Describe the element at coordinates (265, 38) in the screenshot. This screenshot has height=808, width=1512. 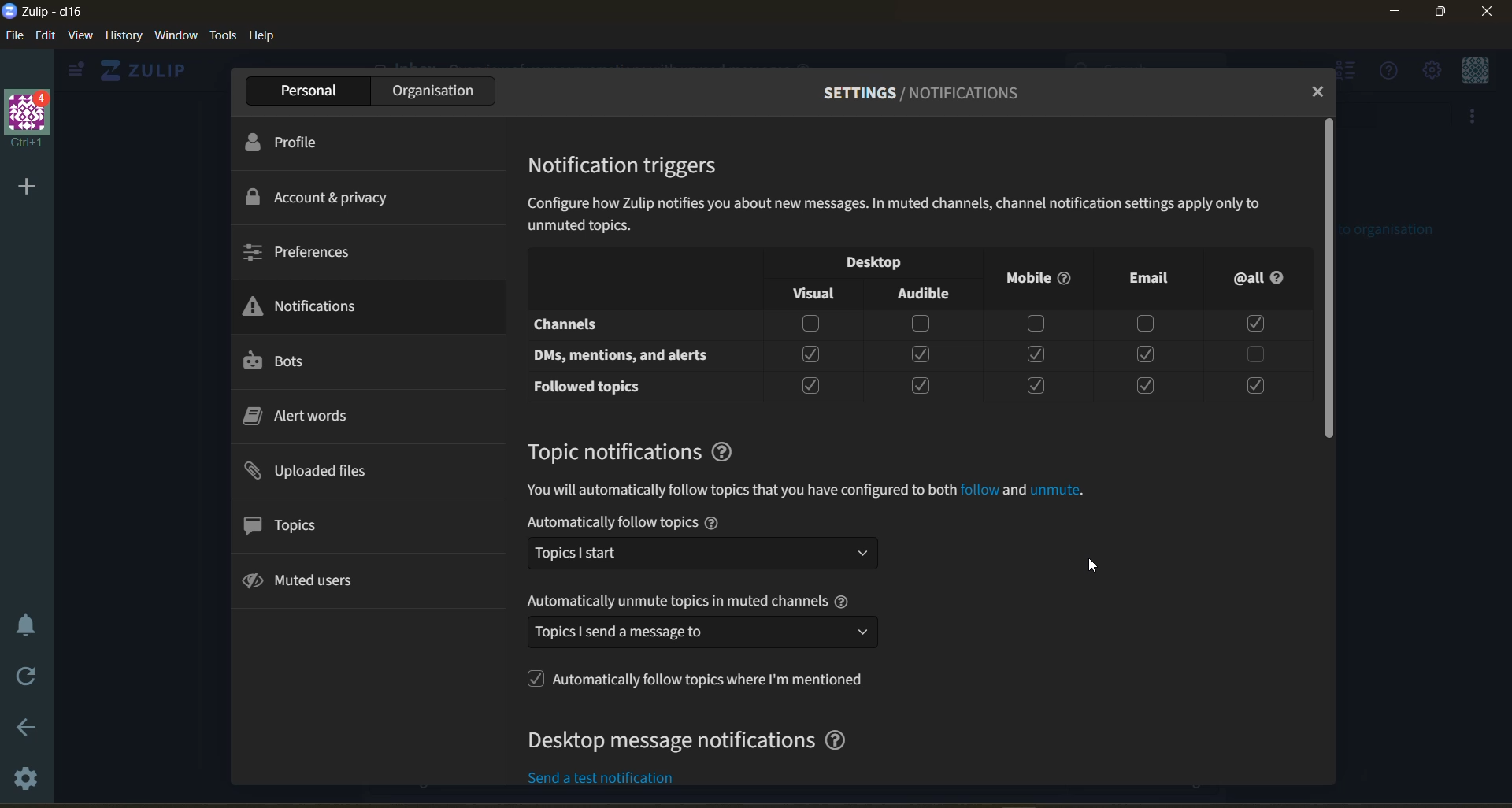
I see `help` at that location.